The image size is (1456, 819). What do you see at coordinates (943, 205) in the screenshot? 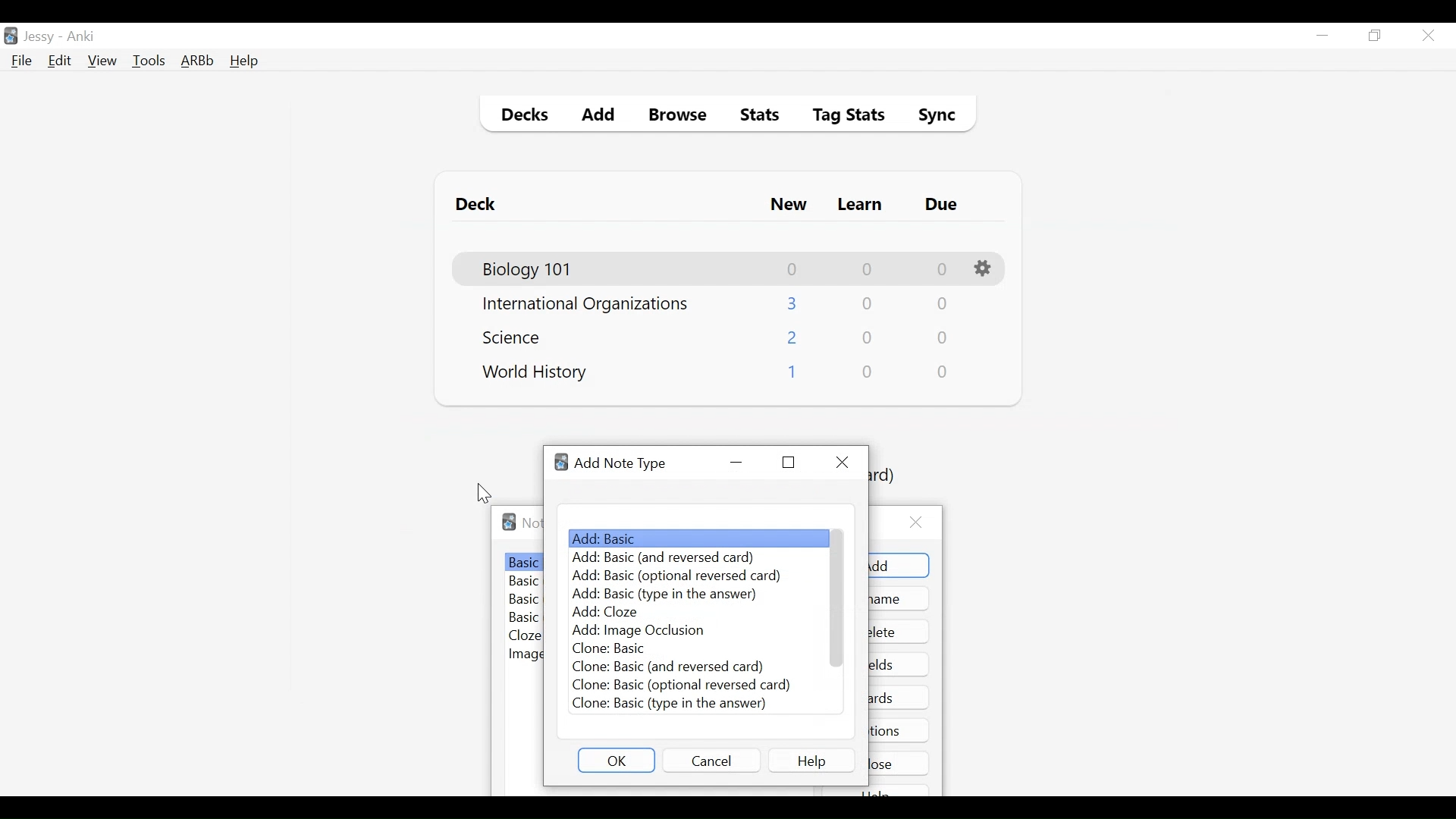
I see `Due` at bounding box center [943, 205].